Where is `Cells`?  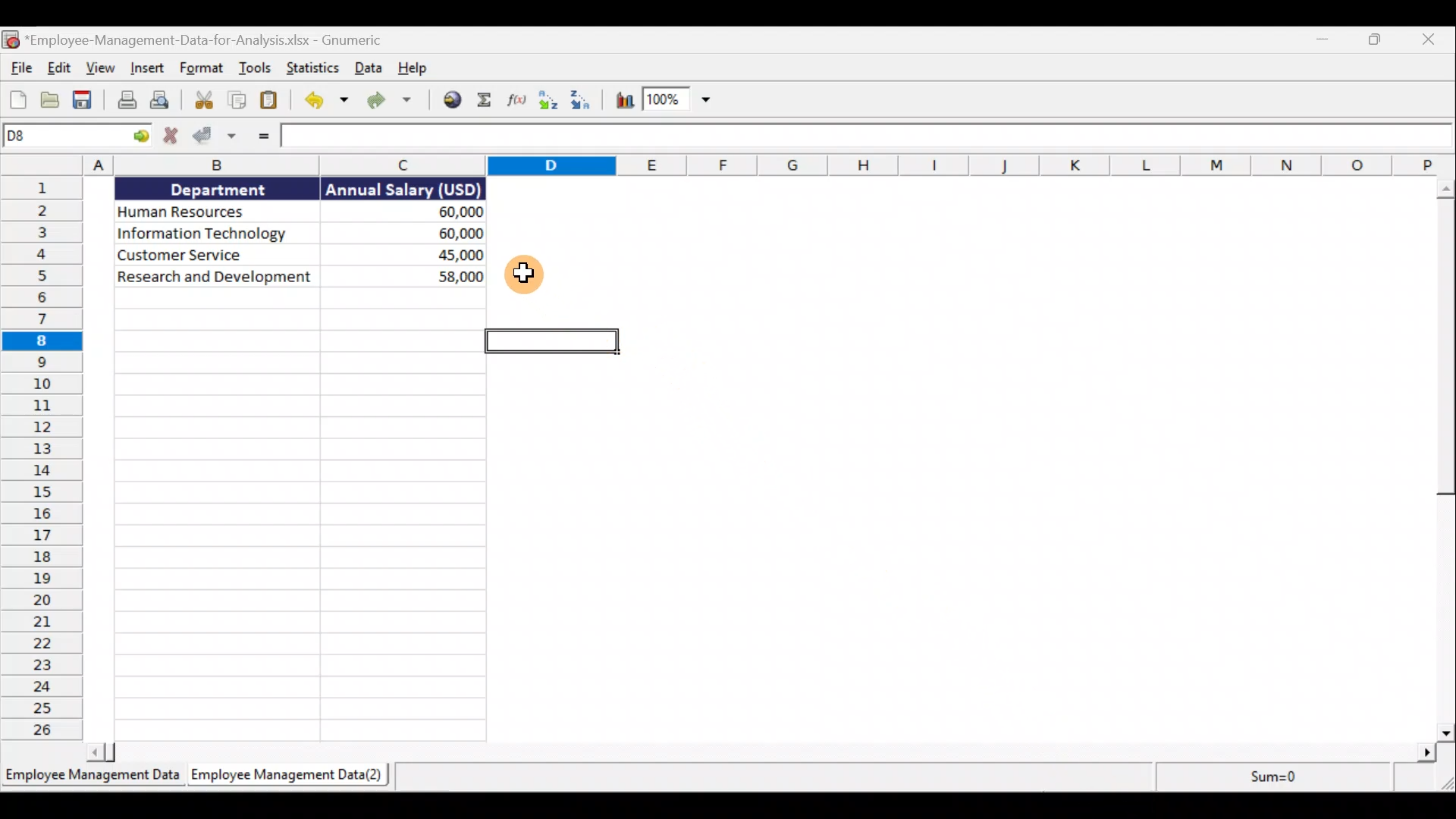 Cells is located at coordinates (297, 516).